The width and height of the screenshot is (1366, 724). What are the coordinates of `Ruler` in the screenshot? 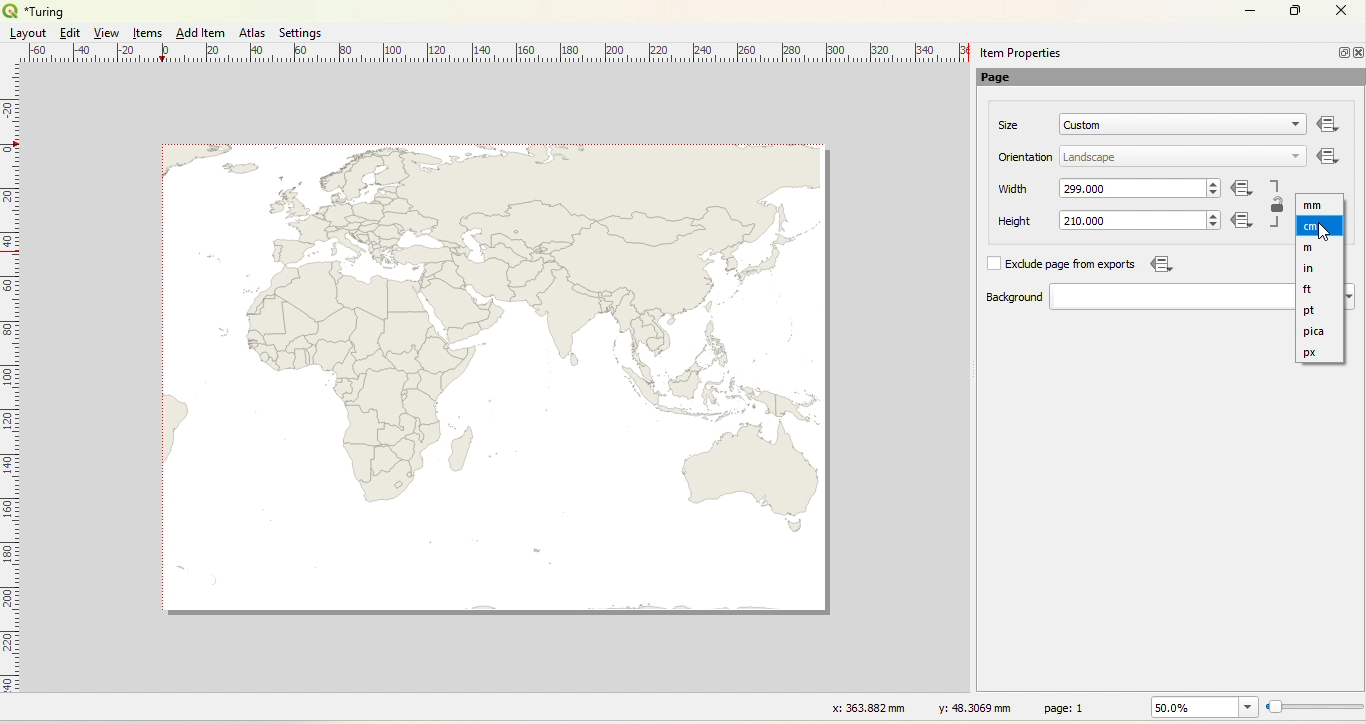 It's located at (501, 54).